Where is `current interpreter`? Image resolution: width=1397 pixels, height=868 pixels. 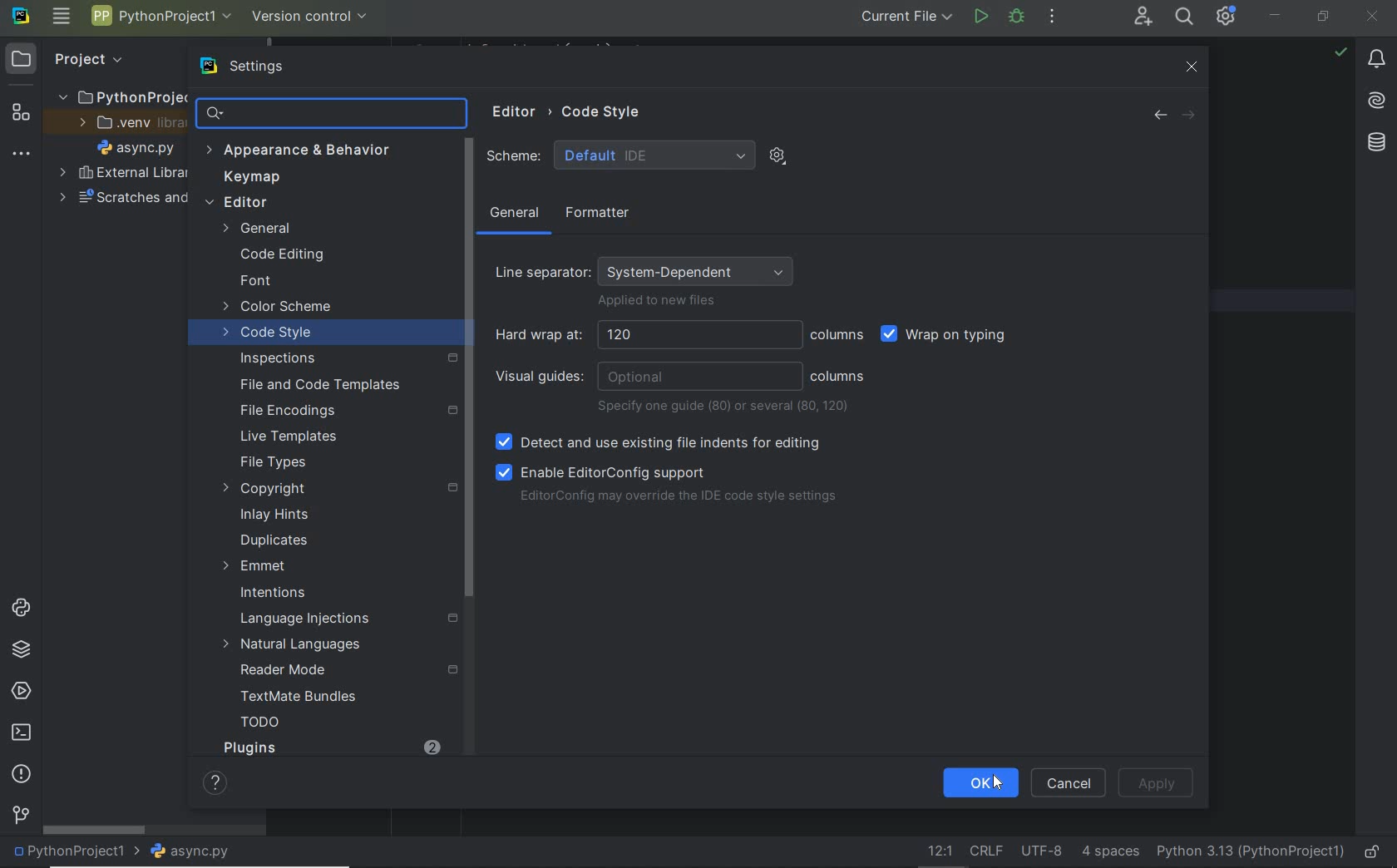 current interpreter is located at coordinates (1249, 850).